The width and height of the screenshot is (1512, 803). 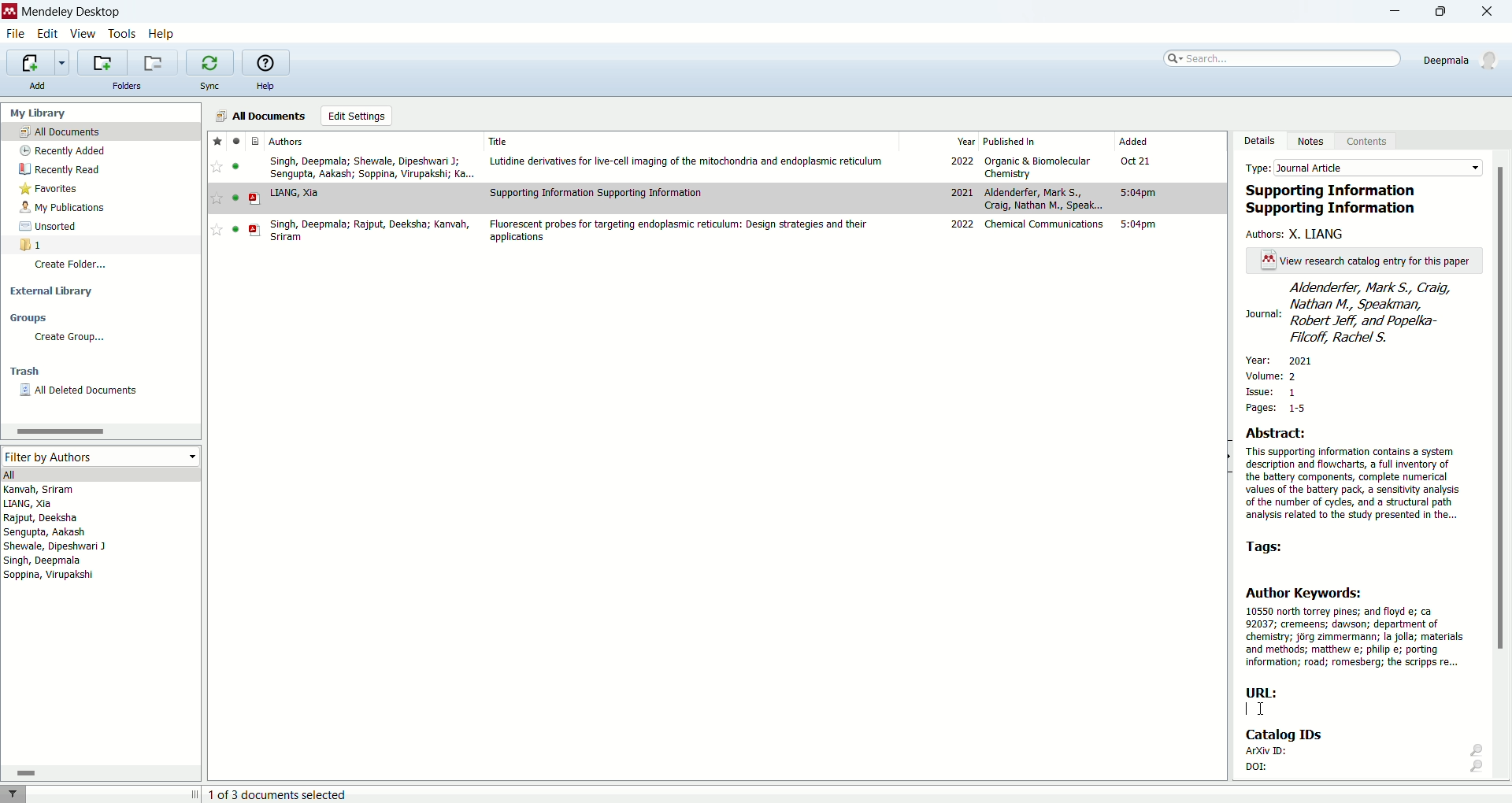 I want to click on supporting information supporting information, so click(x=1338, y=200).